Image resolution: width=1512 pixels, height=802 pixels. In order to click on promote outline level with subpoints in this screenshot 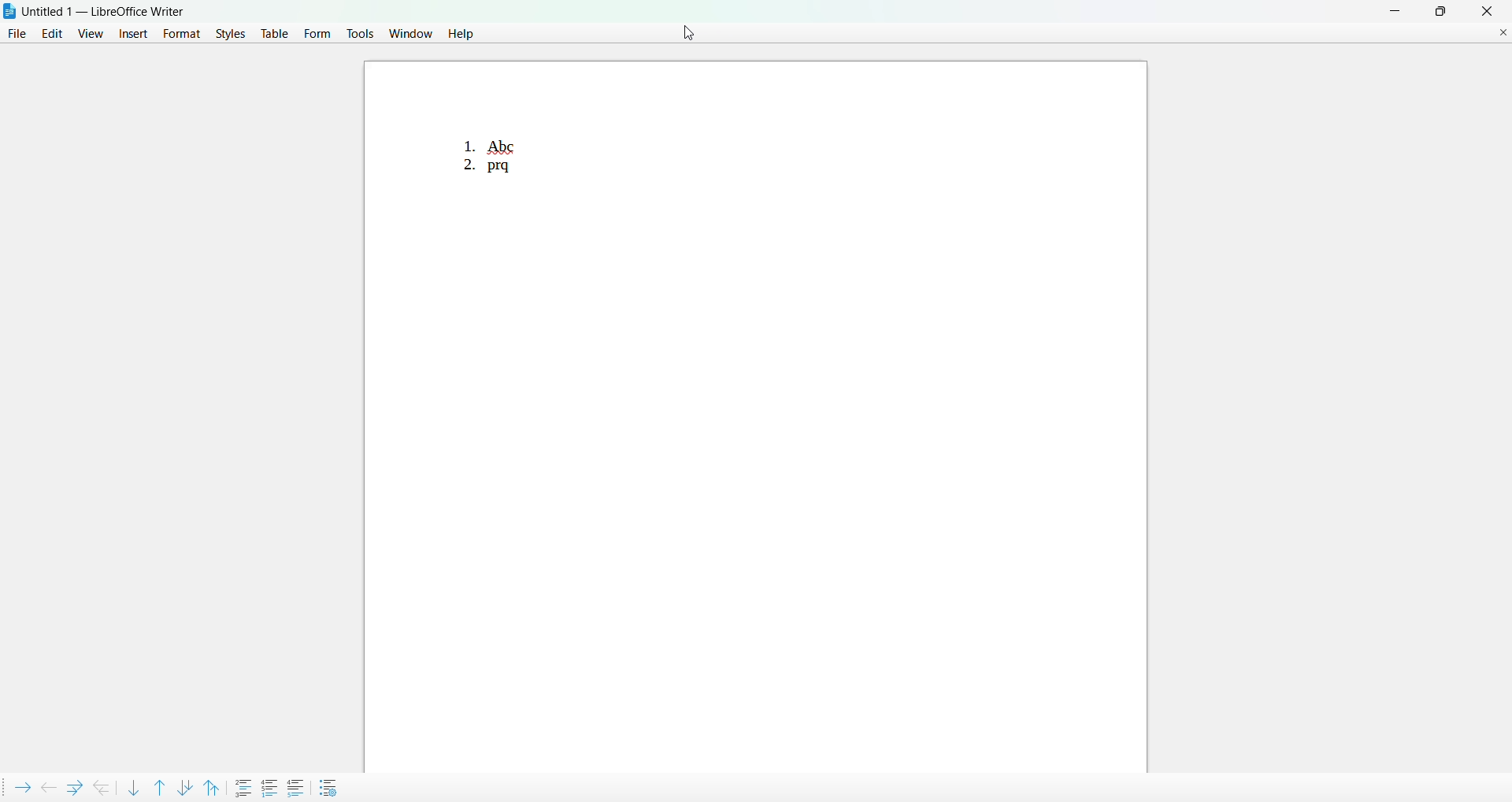, I will do `click(102, 786)`.